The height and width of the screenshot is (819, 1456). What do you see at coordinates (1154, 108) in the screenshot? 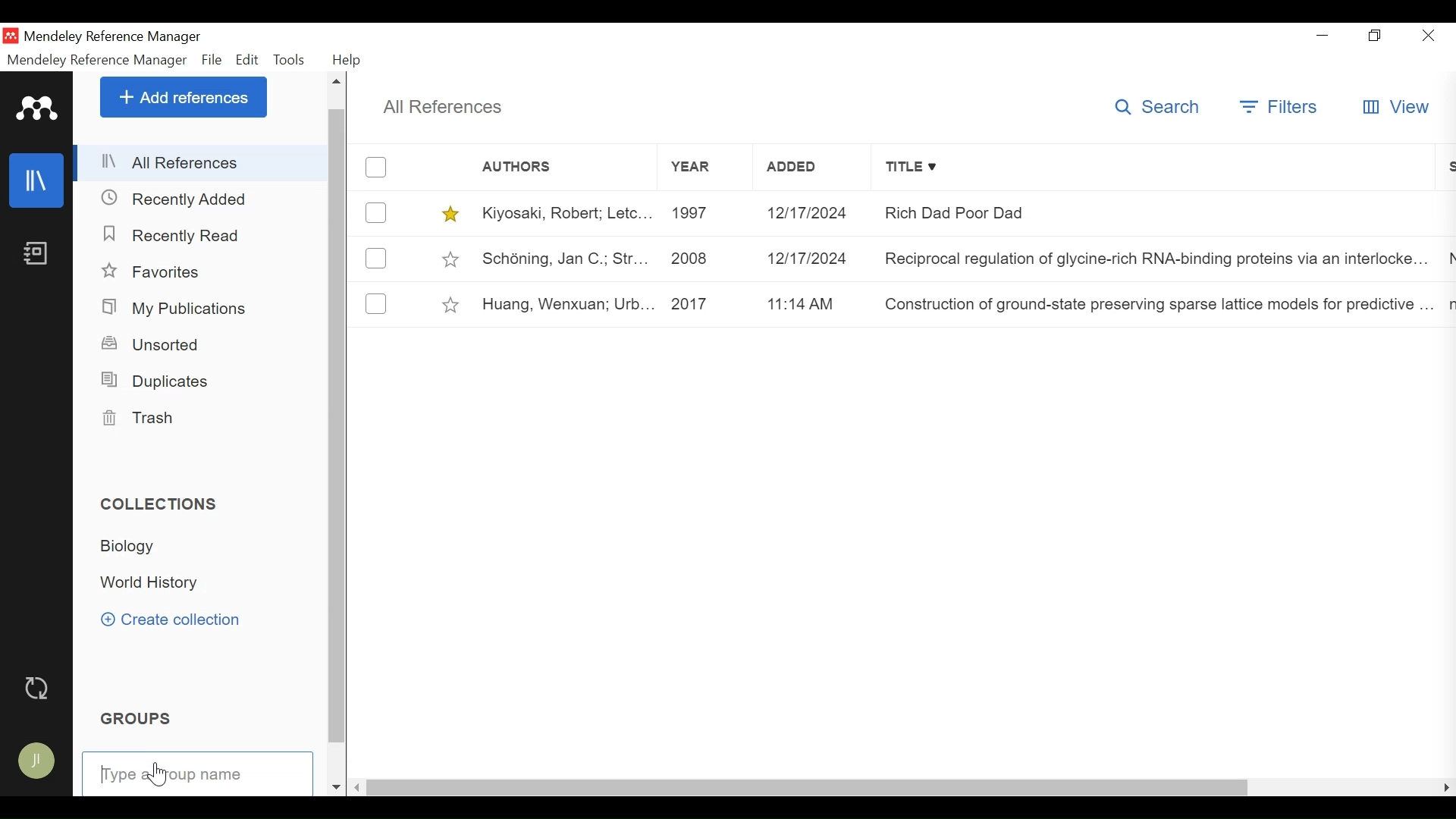
I see `Search` at bounding box center [1154, 108].